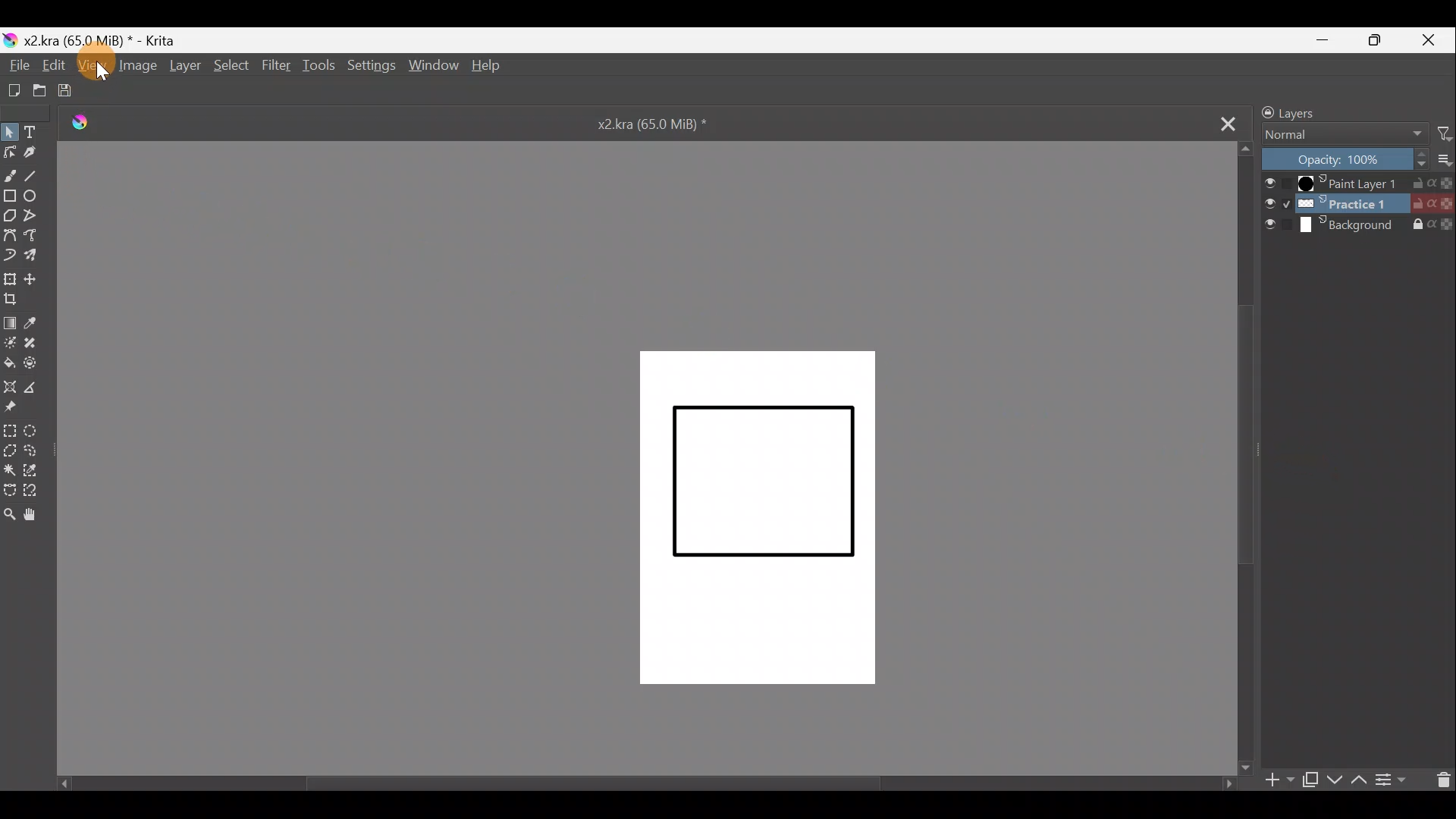  Describe the element at coordinates (756, 516) in the screenshot. I see `Canvas` at that location.